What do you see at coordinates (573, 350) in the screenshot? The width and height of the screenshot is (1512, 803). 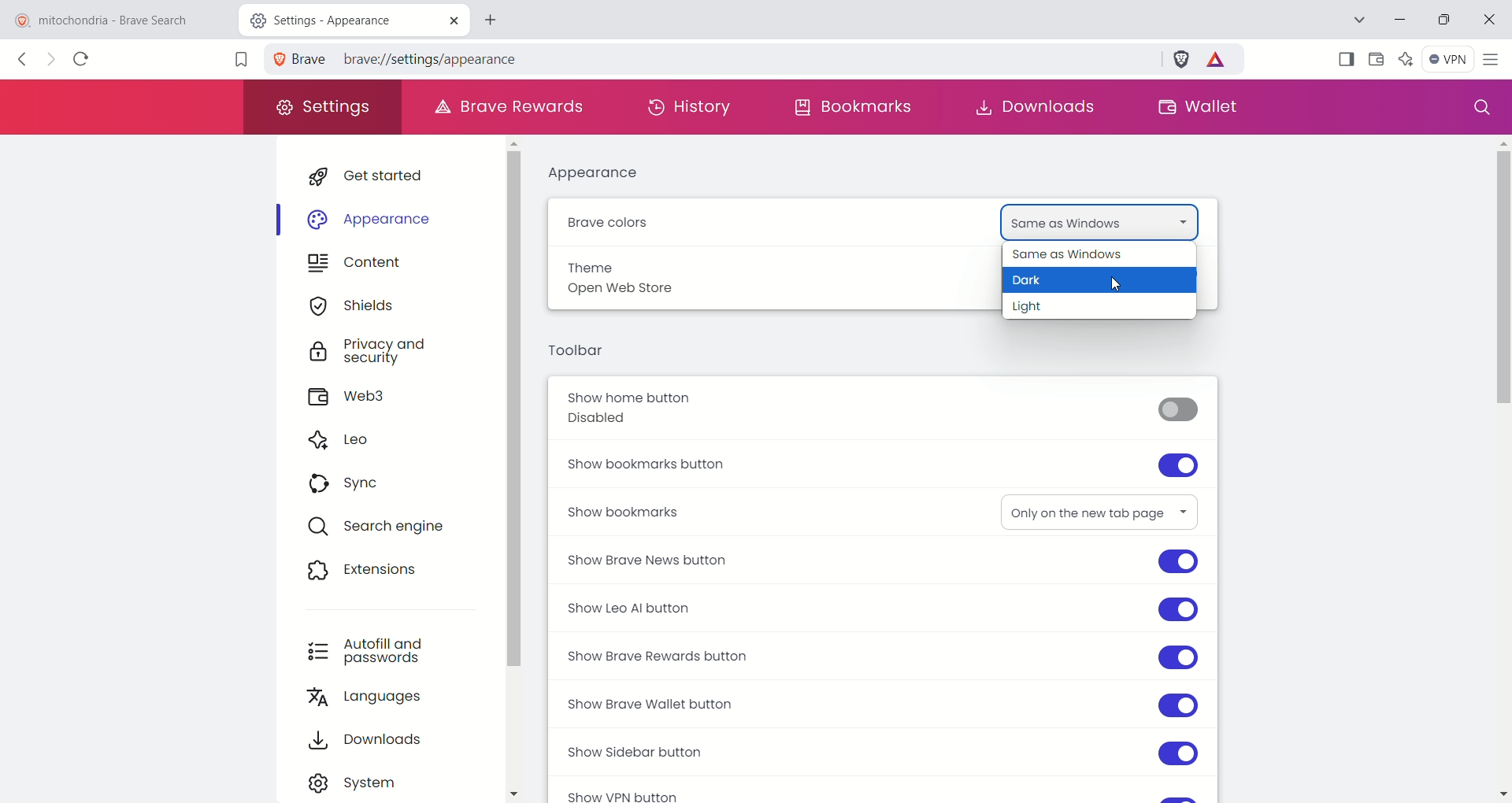 I see `toolbar` at bounding box center [573, 350].